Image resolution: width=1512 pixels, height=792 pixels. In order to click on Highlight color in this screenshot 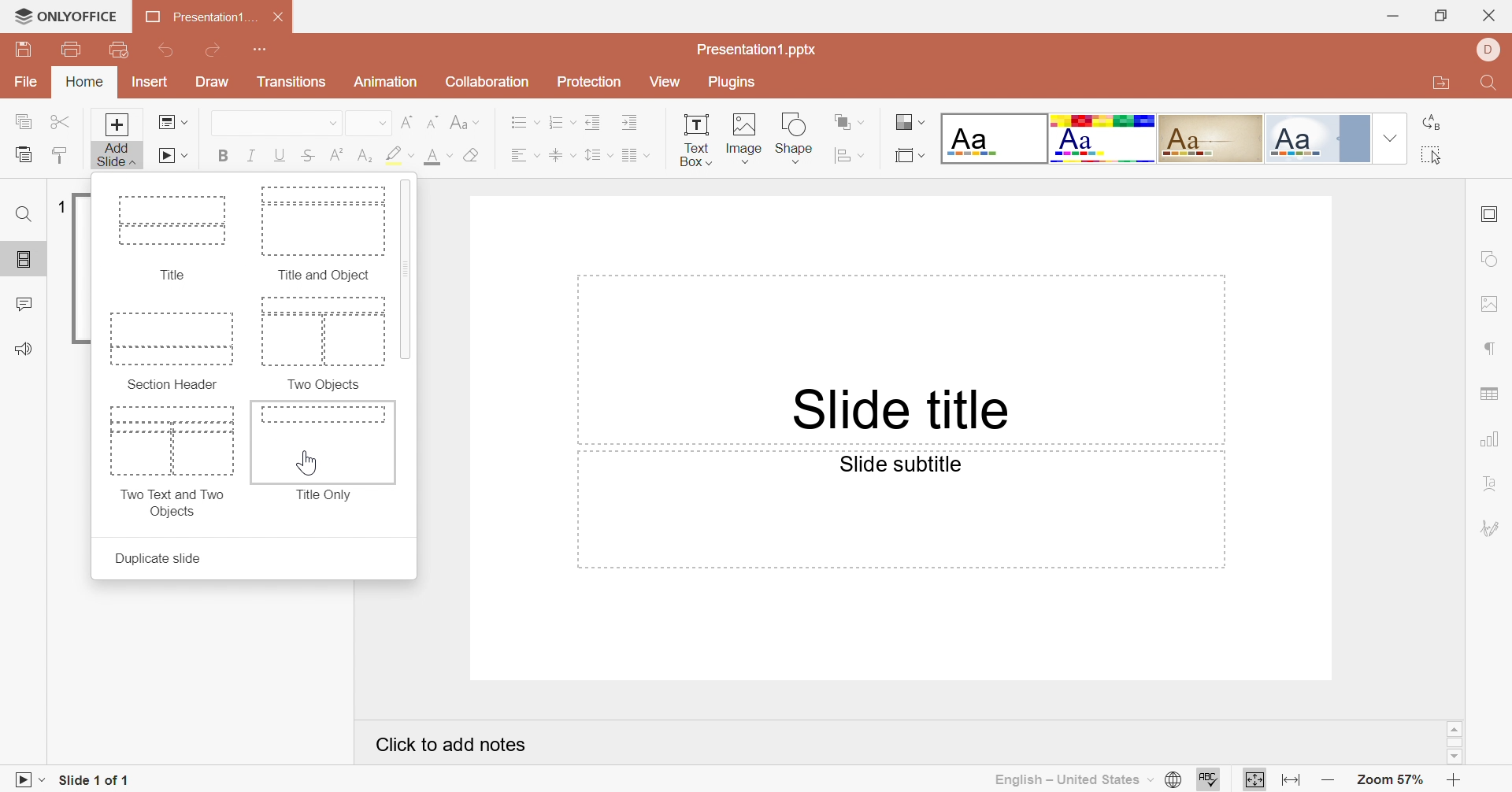, I will do `click(400, 154)`.